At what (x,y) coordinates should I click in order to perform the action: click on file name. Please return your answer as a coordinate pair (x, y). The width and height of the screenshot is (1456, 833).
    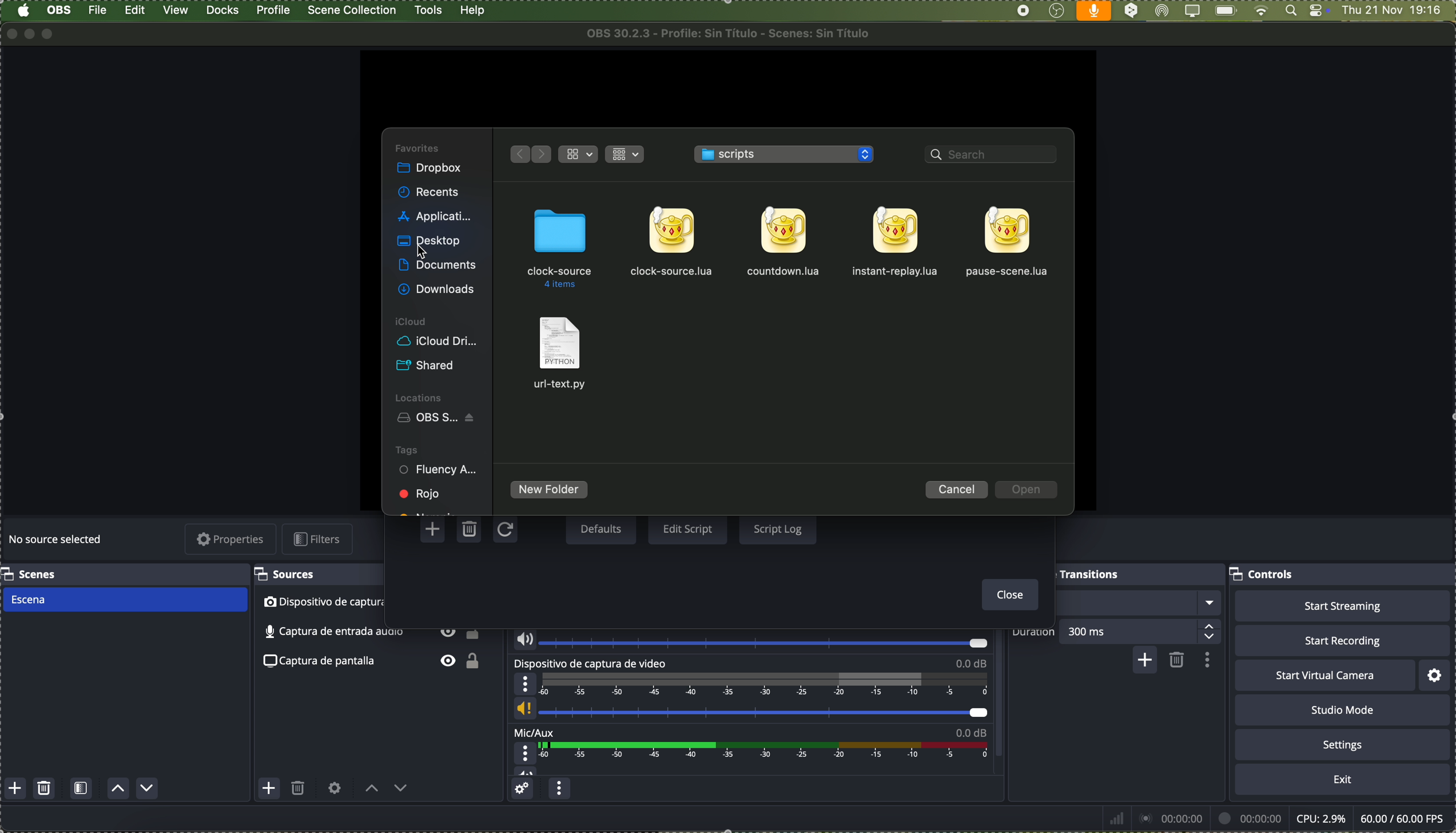
    Looking at the image, I should click on (733, 33).